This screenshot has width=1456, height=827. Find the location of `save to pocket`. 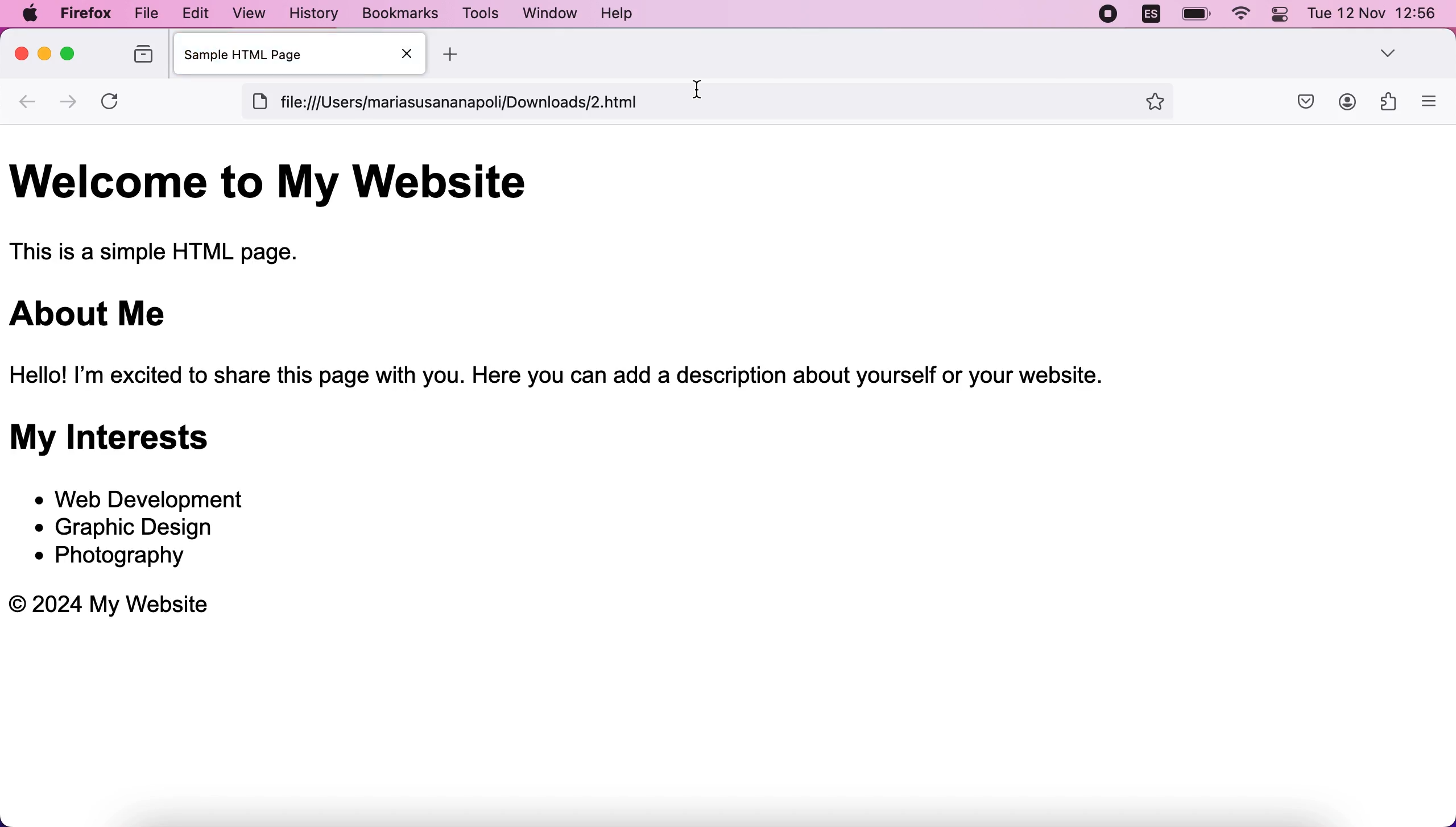

save to pocket is located at coordinates (1298, 107).